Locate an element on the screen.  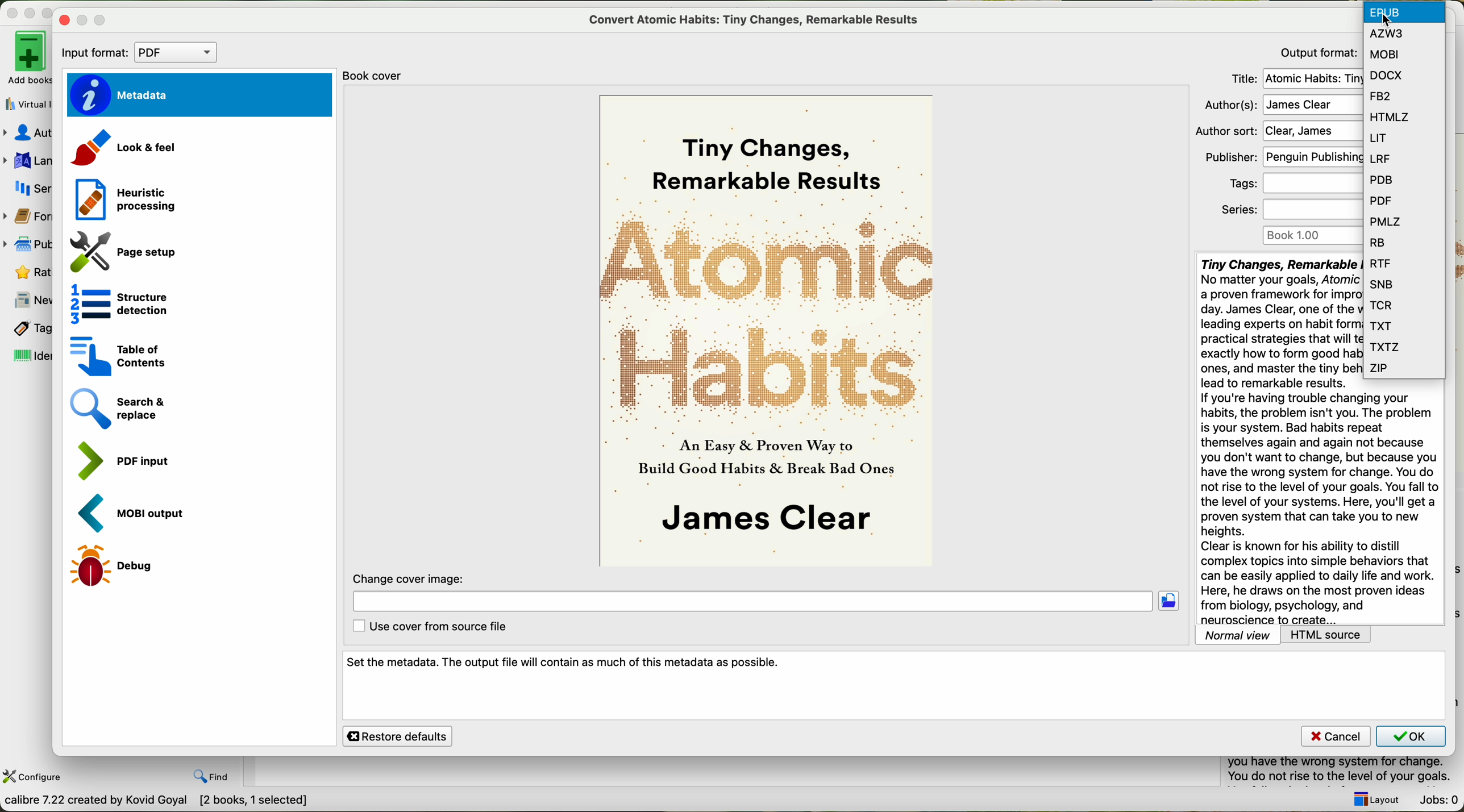
identifiers is located at coordinates (27, 356).